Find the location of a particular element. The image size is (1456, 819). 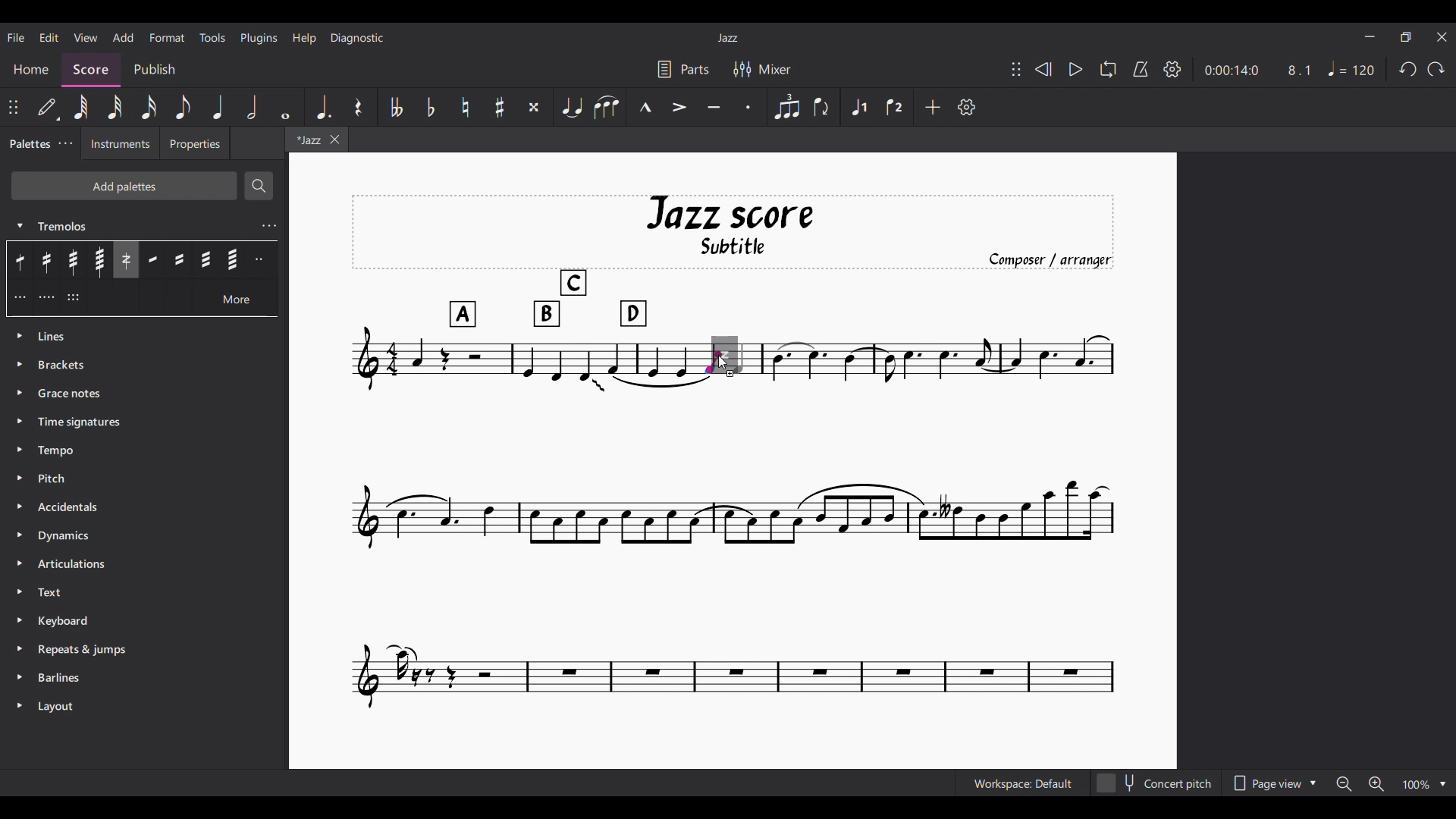

Diagnostic is located at coordinates (357, 39).